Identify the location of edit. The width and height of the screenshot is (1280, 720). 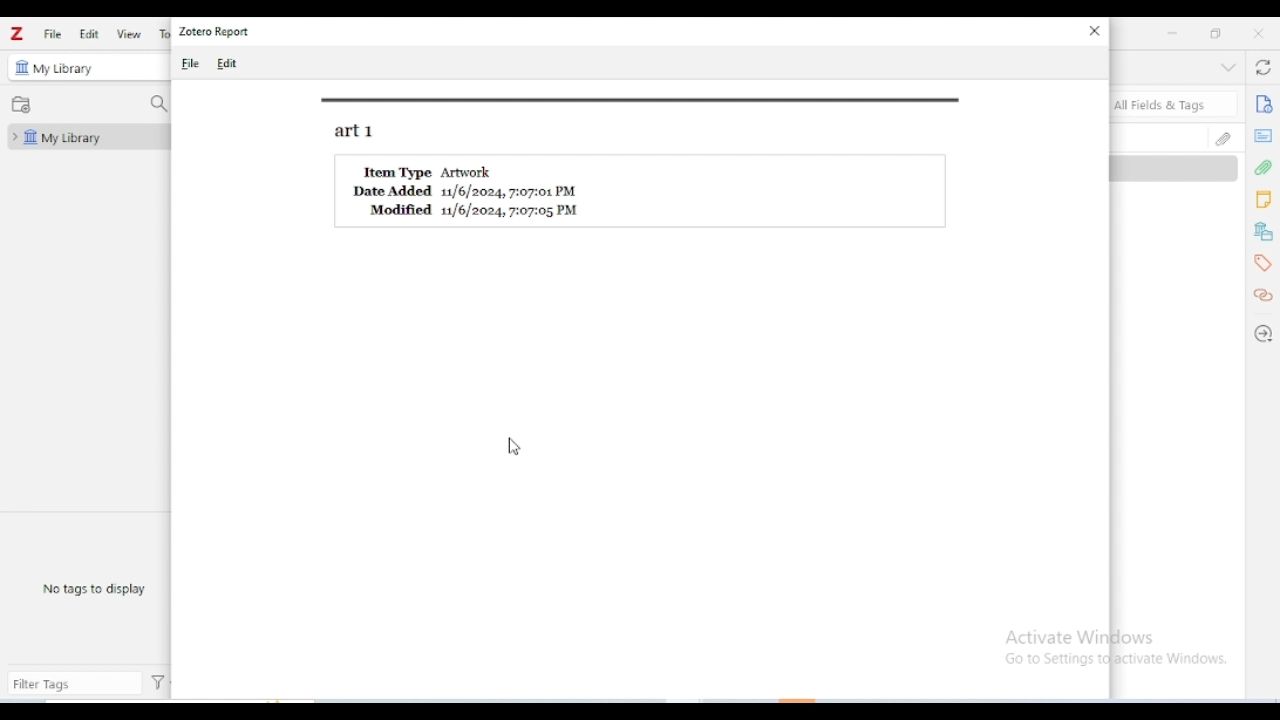
(227, 64).